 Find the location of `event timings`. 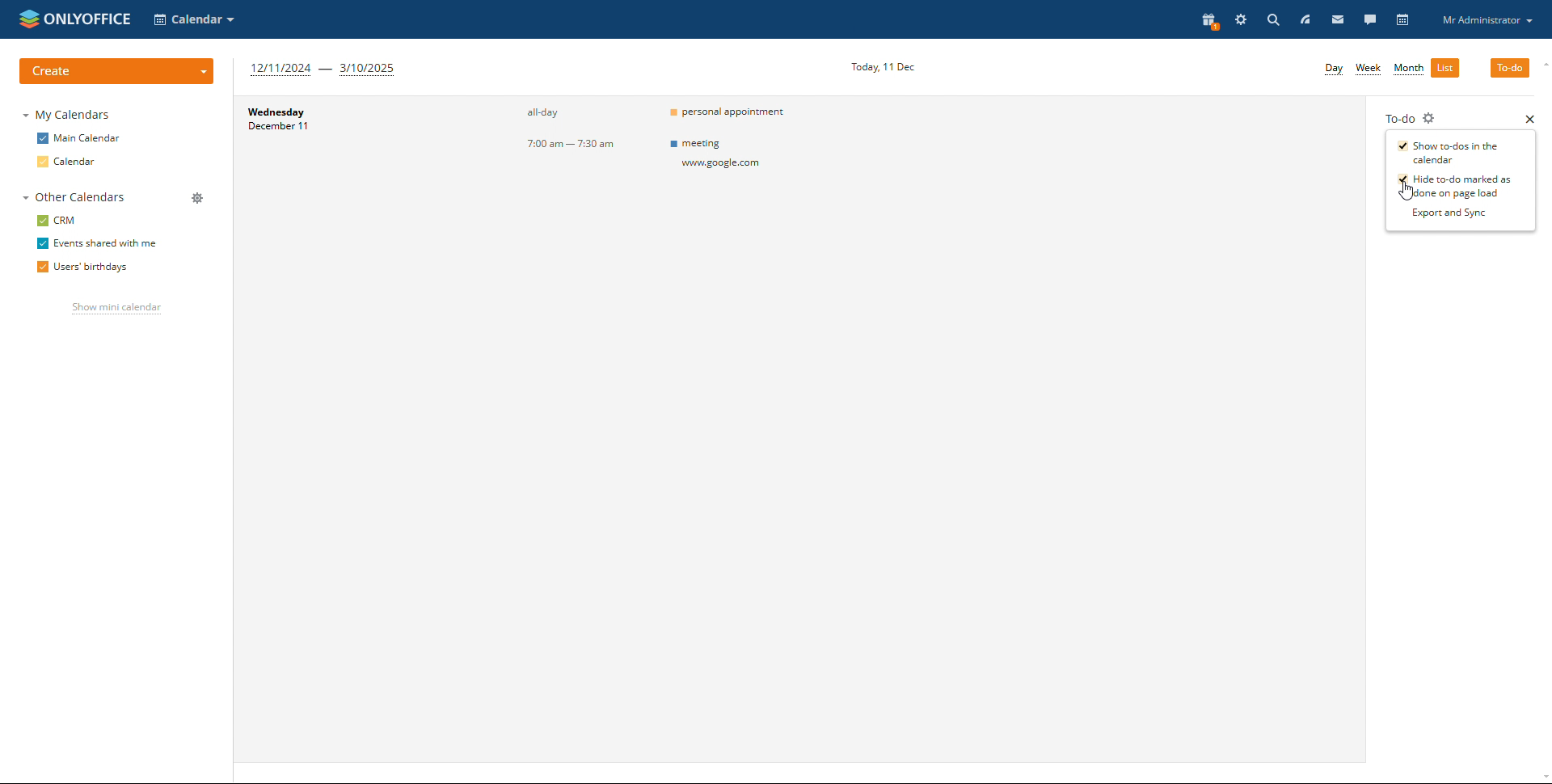

event timings is located at coordinates (582, 130).